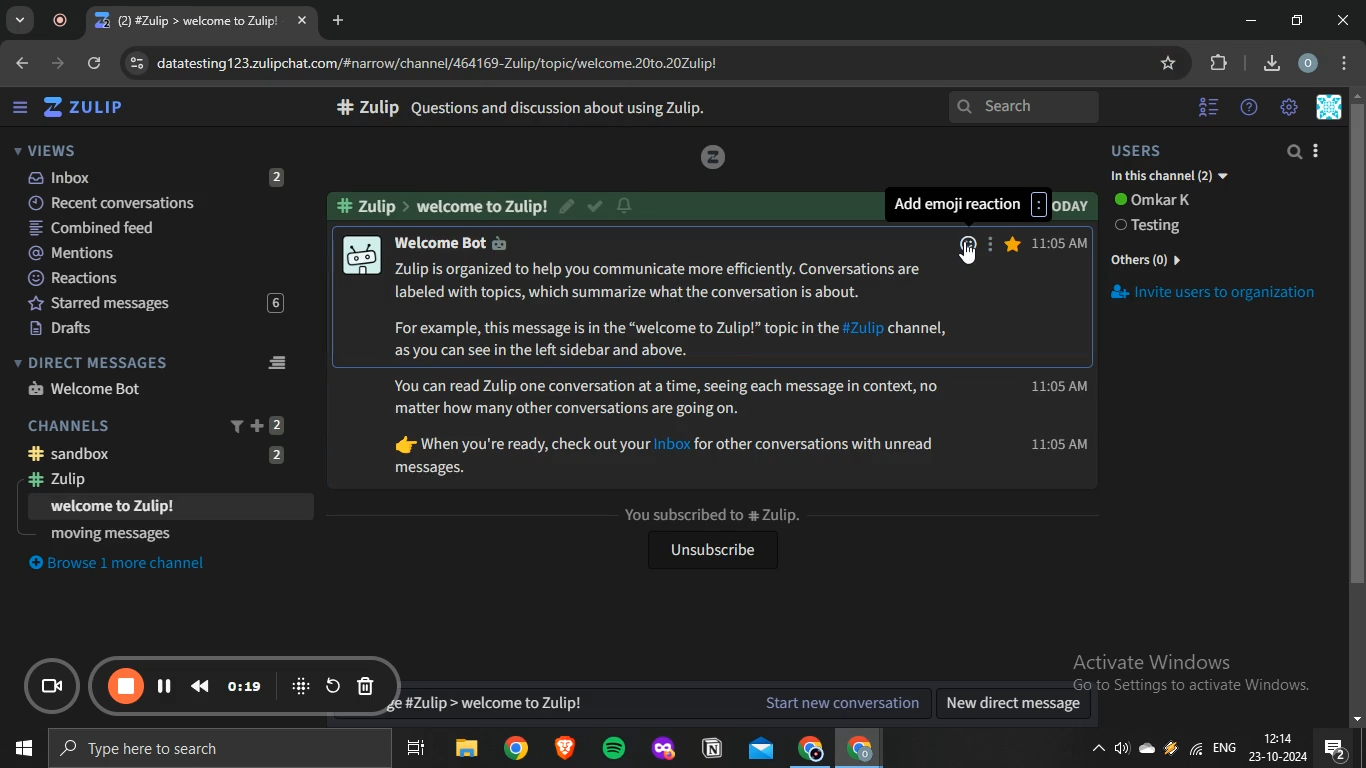  Describe the element at coordinates (625, 205) in the screenshot. I see `notification` at that location.